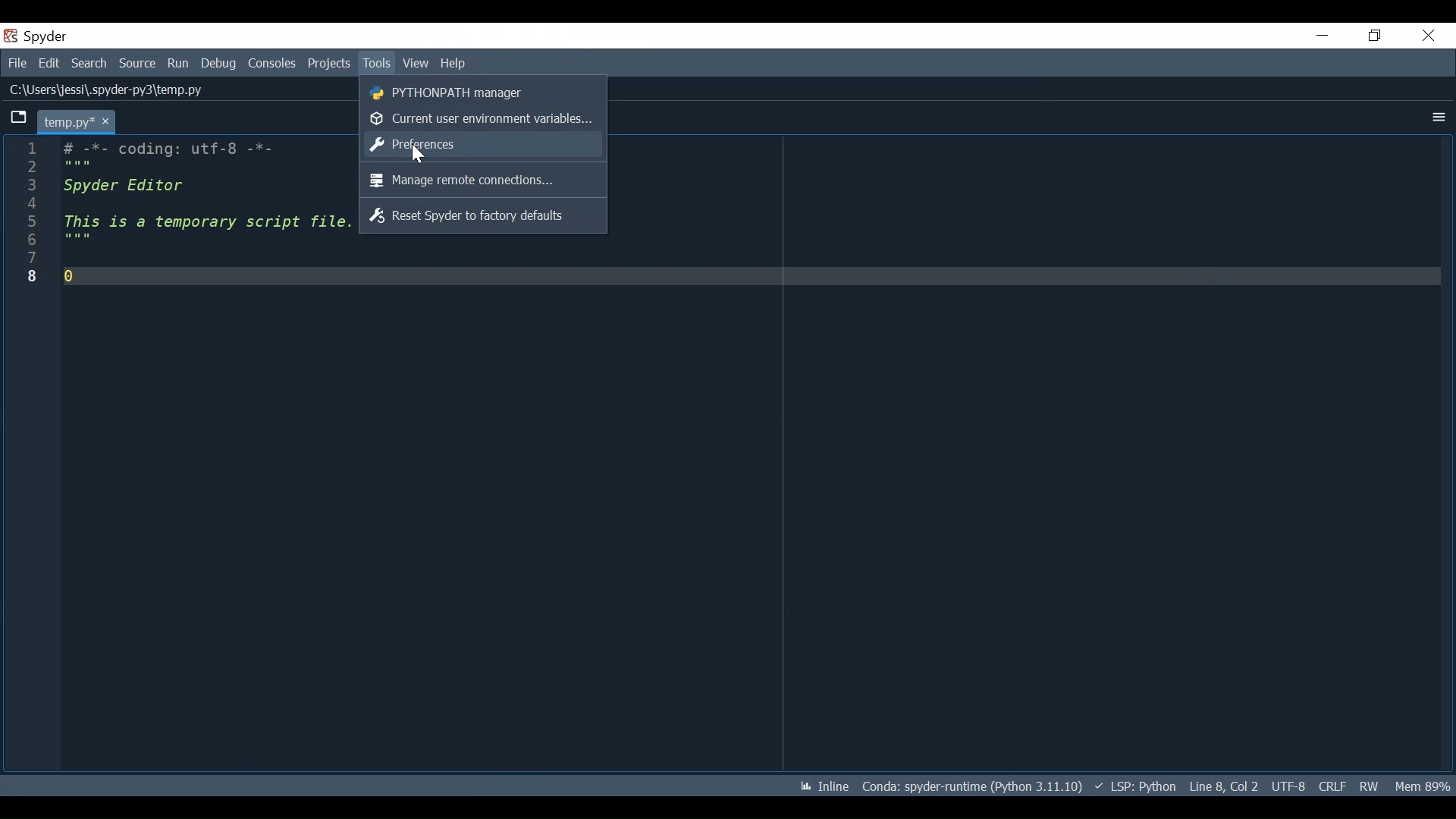 This screenshot has height=819, width=1456. I want to click on Consoles, so click(272, 64).